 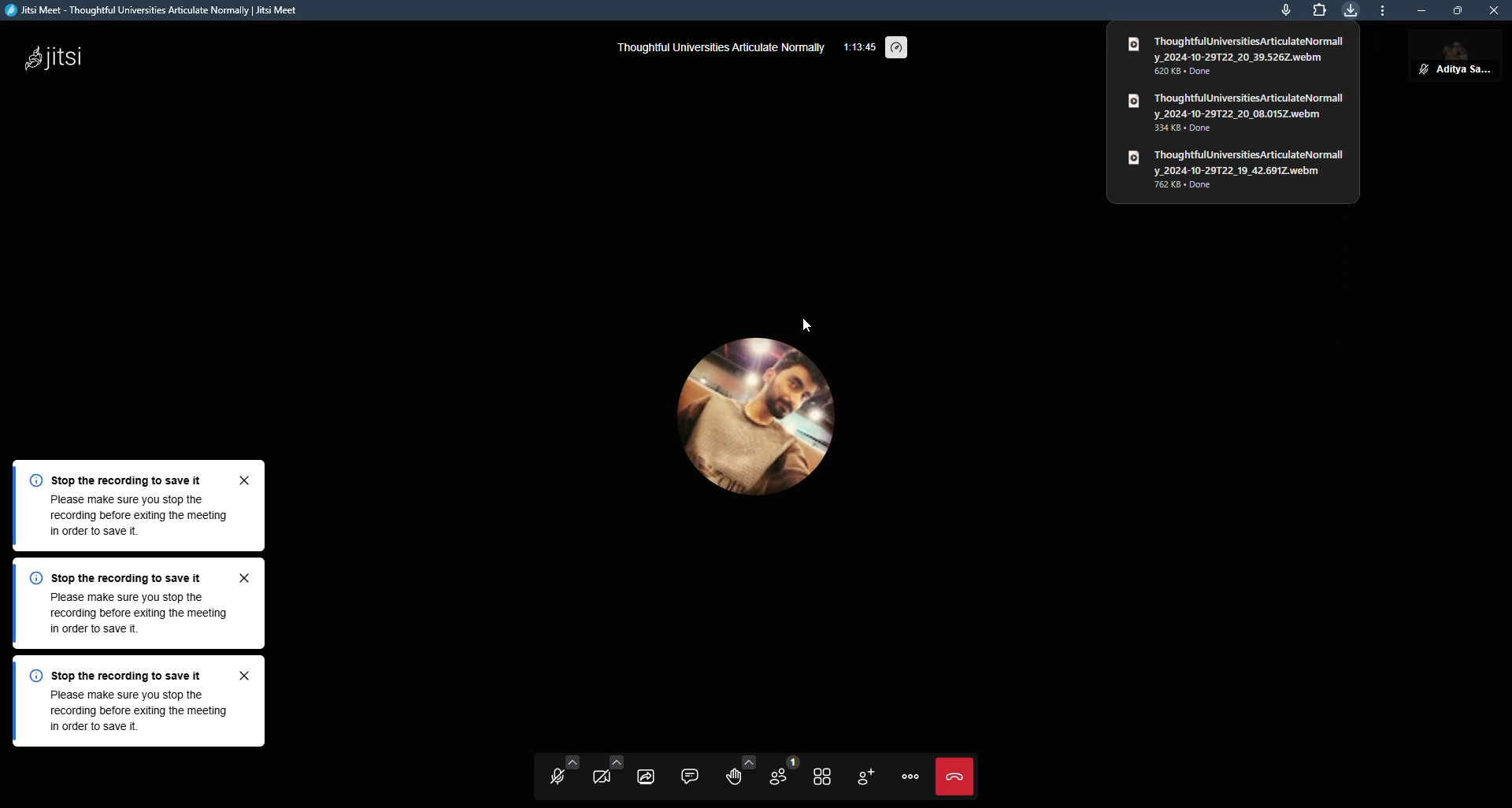 I want to click on maximize, so click(x=1457, y=9).